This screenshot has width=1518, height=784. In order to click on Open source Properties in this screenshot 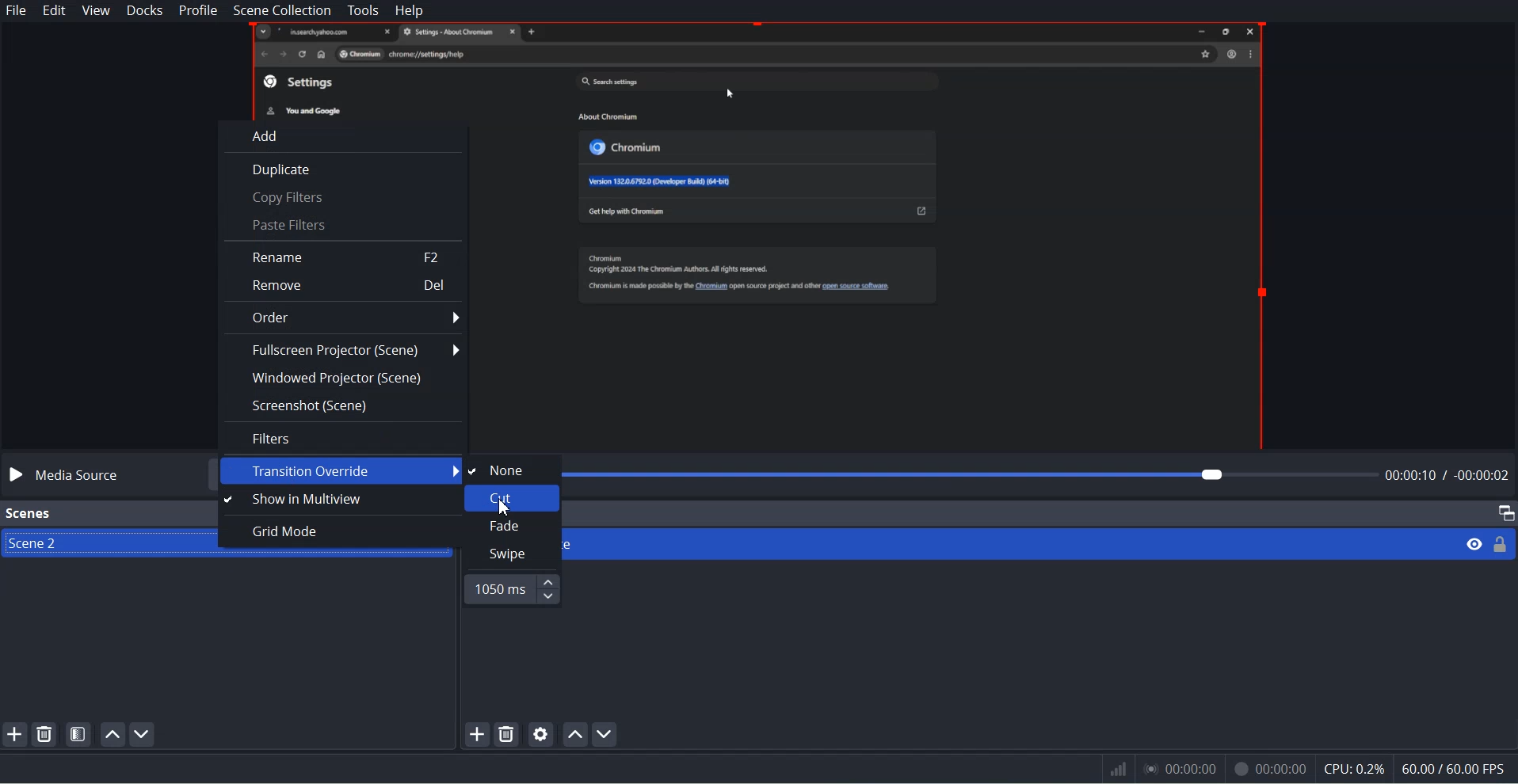, I will do `click(541, 733)`.